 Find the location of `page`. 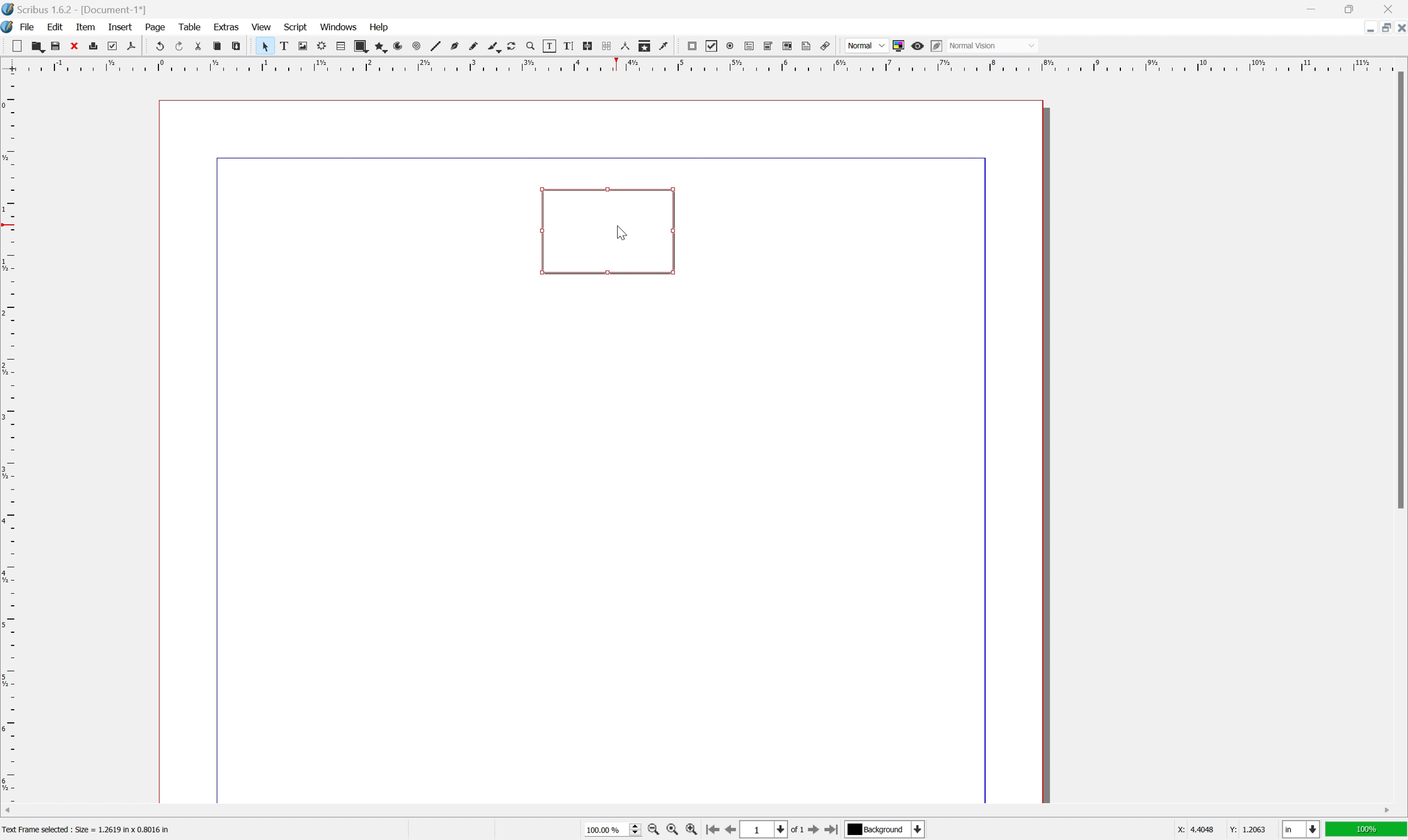

page is located at coordinates (156, 28).